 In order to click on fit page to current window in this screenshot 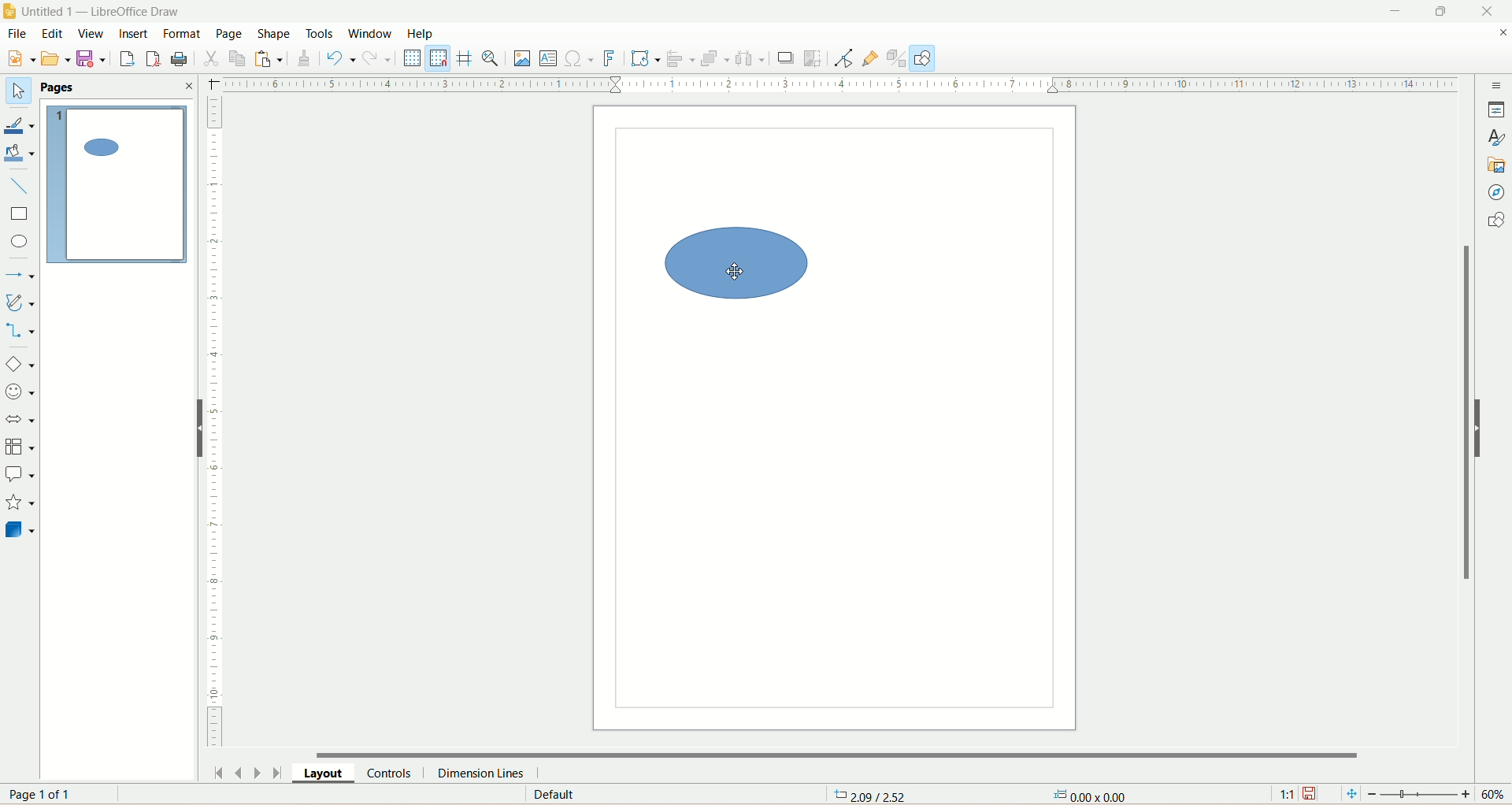, I will do `click(1349, 794)`.